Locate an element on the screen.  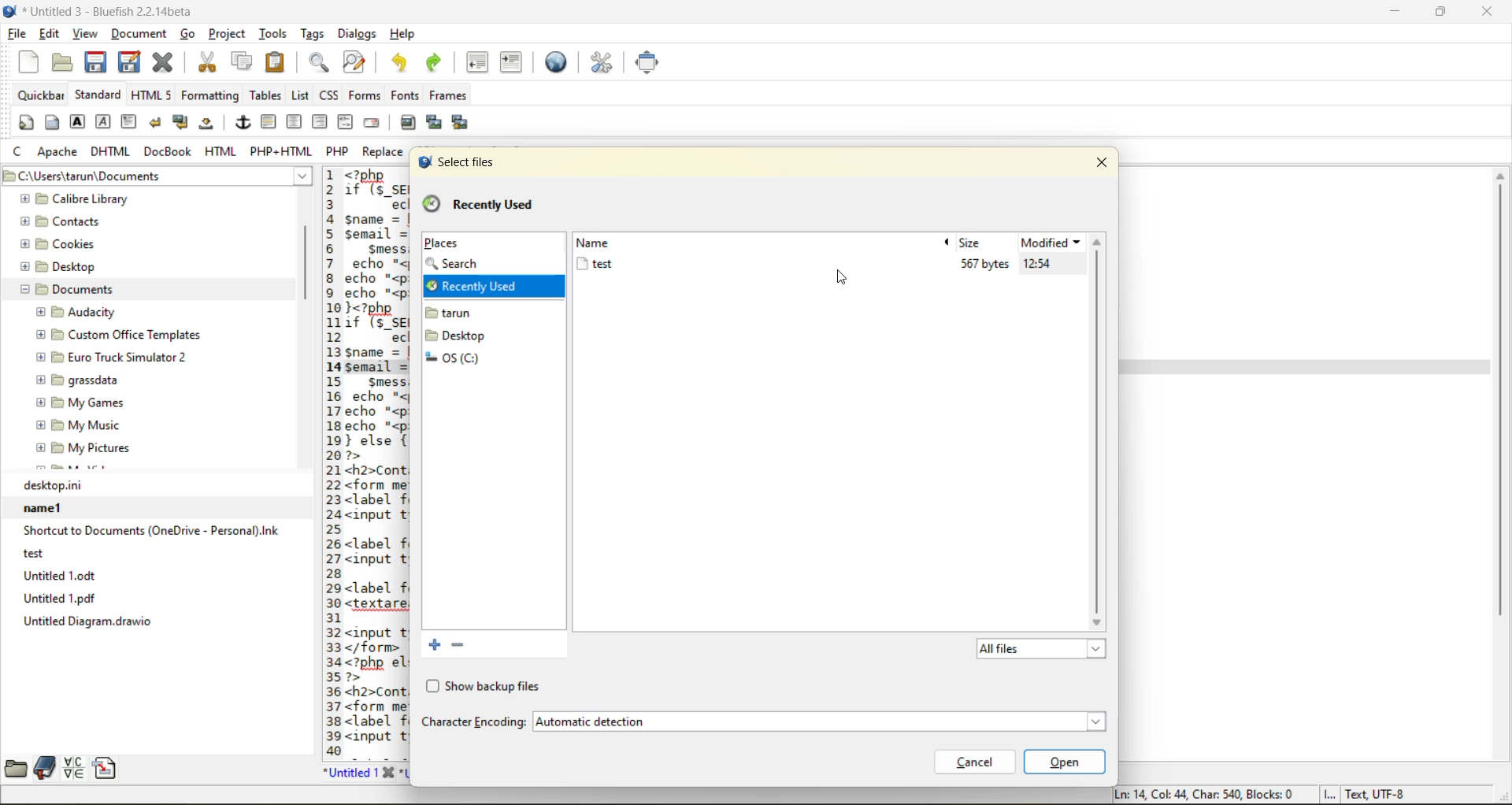
formatting is located at coordinates (211, 95).